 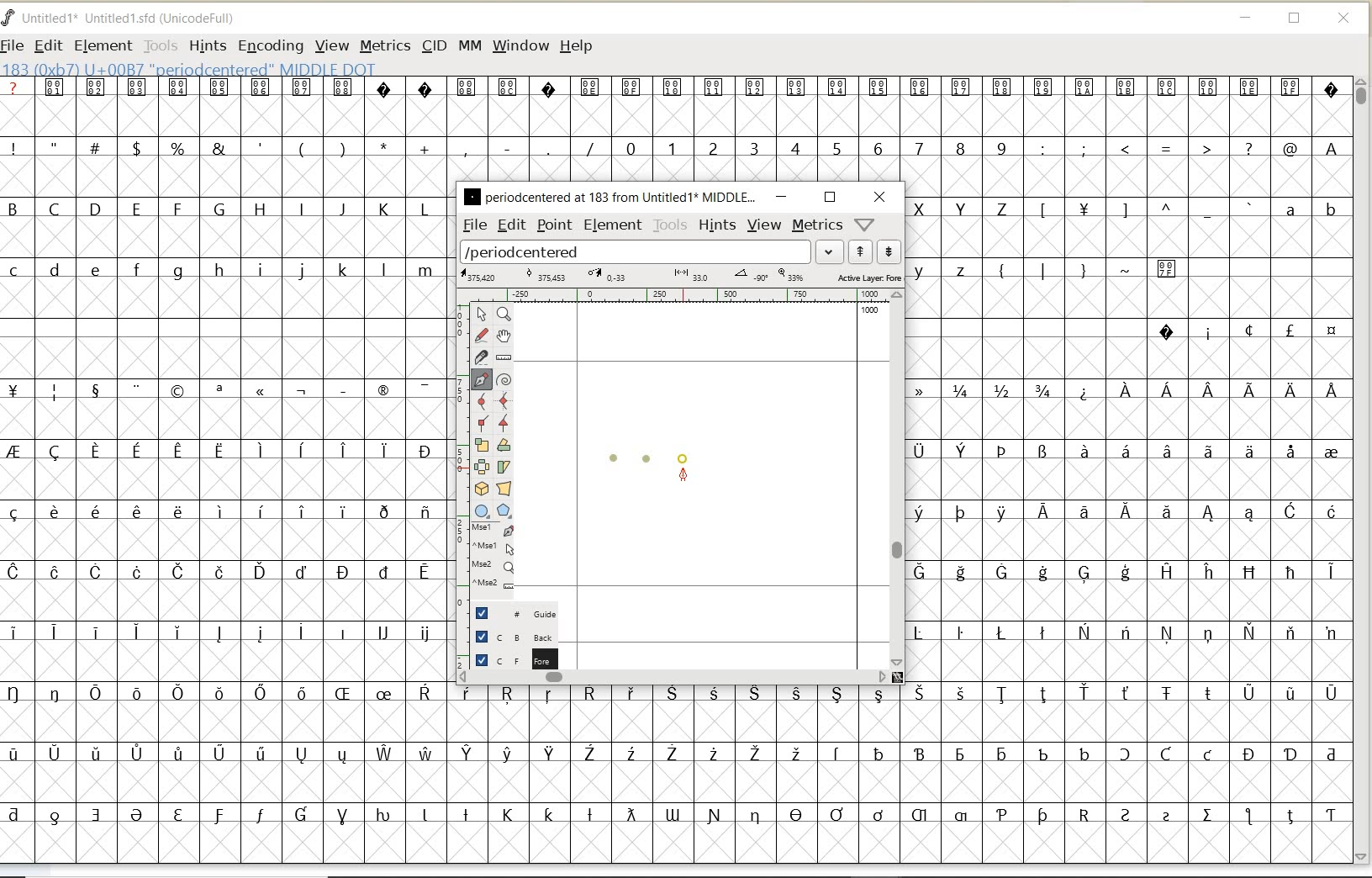 I want to click on hints, so click(x=718, y=225).